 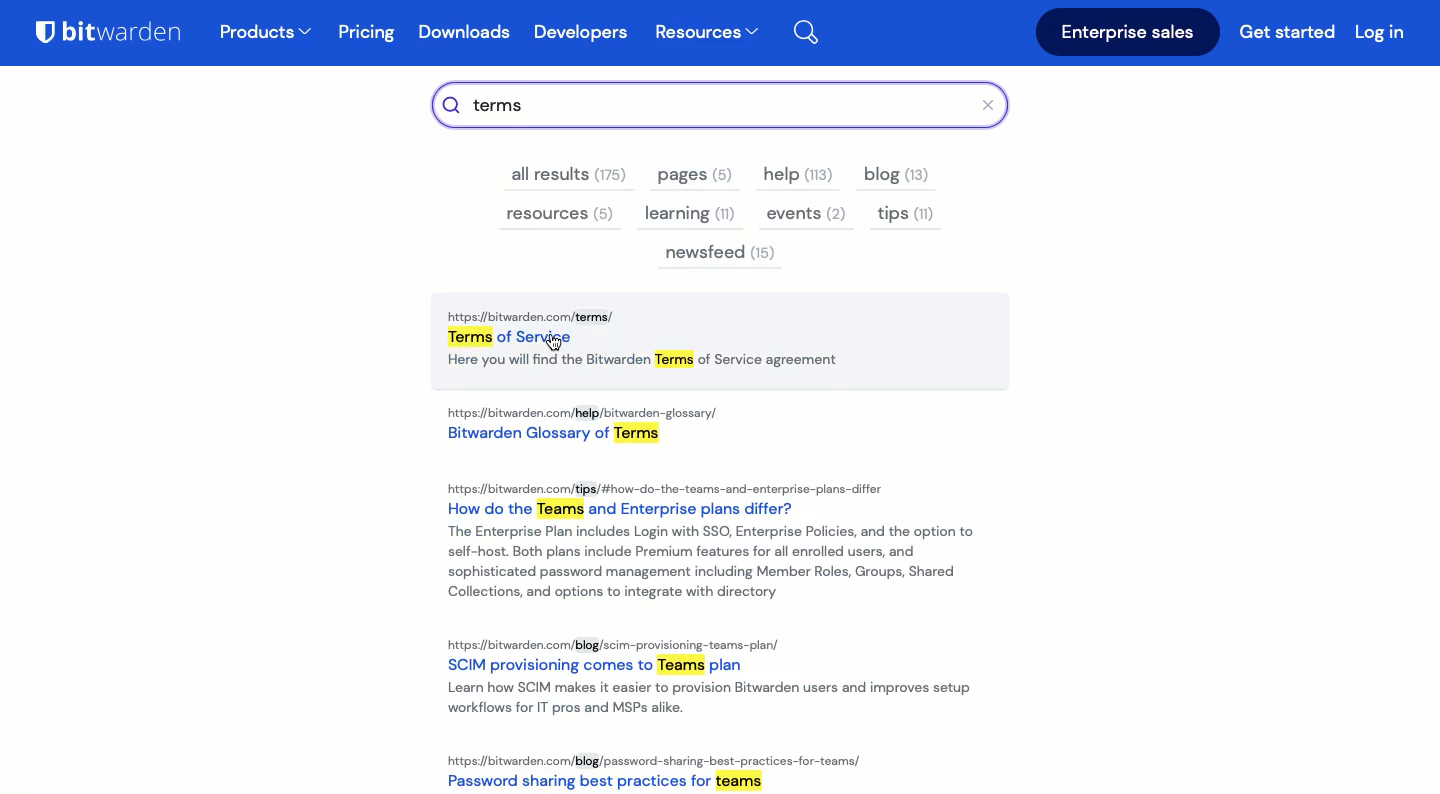 What do you see at coordinates (689, 177) in the screenshot?
I see `pages` at bounding box center [689, 177].